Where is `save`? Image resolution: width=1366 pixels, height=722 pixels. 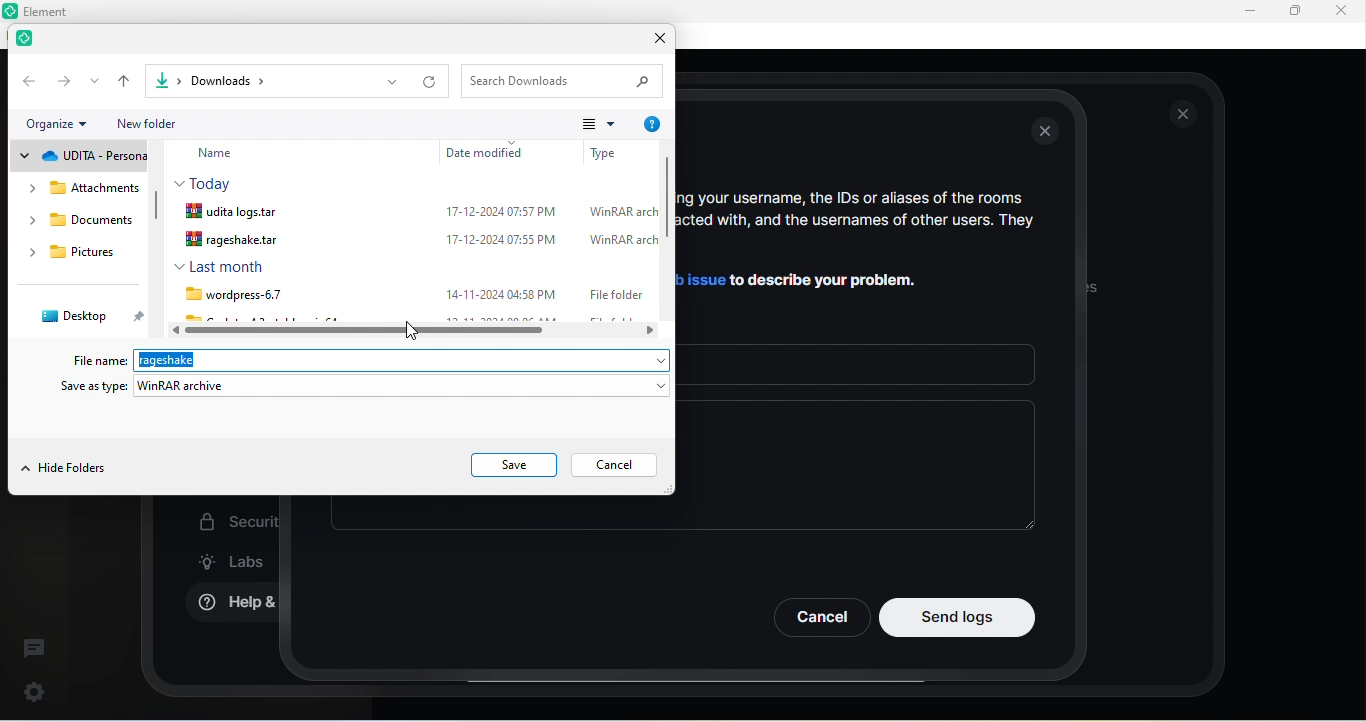
save is located at coordinates (515, 465).